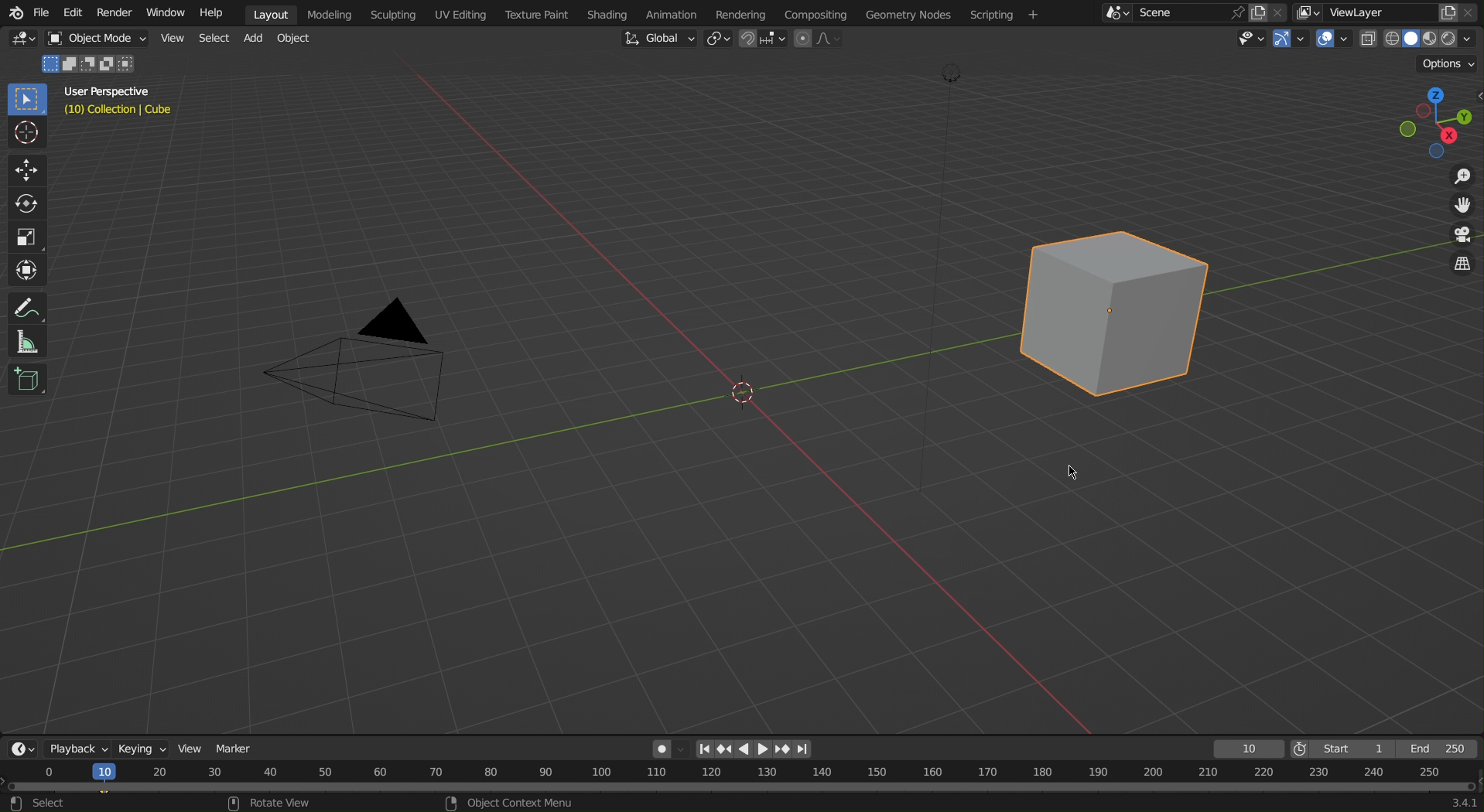  Describe the element at coordinates (120, 112) in the screenshot. I see `Collection | Cube` at that location.